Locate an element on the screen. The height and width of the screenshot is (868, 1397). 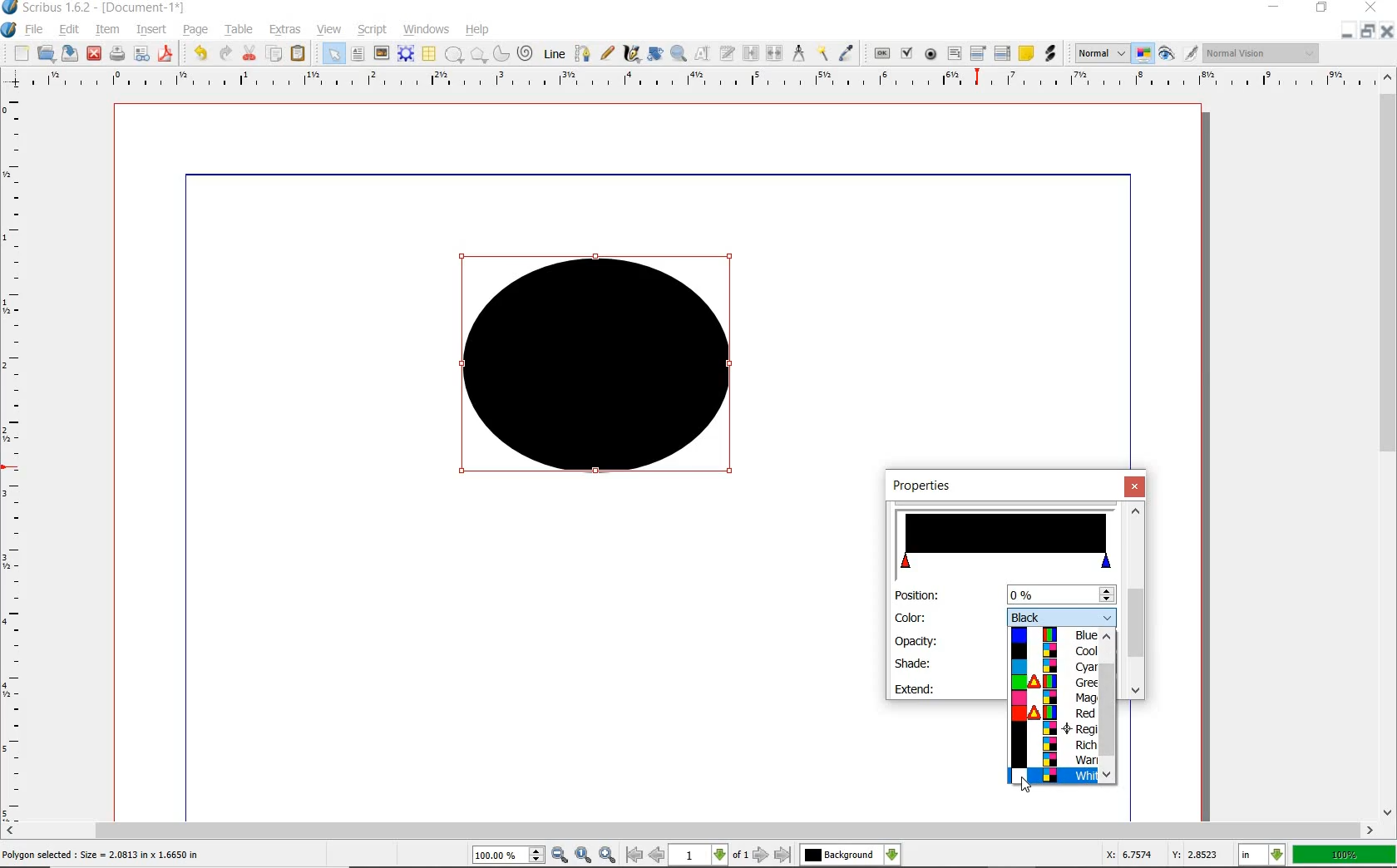
INSERT is located at coordinates (151, 30).